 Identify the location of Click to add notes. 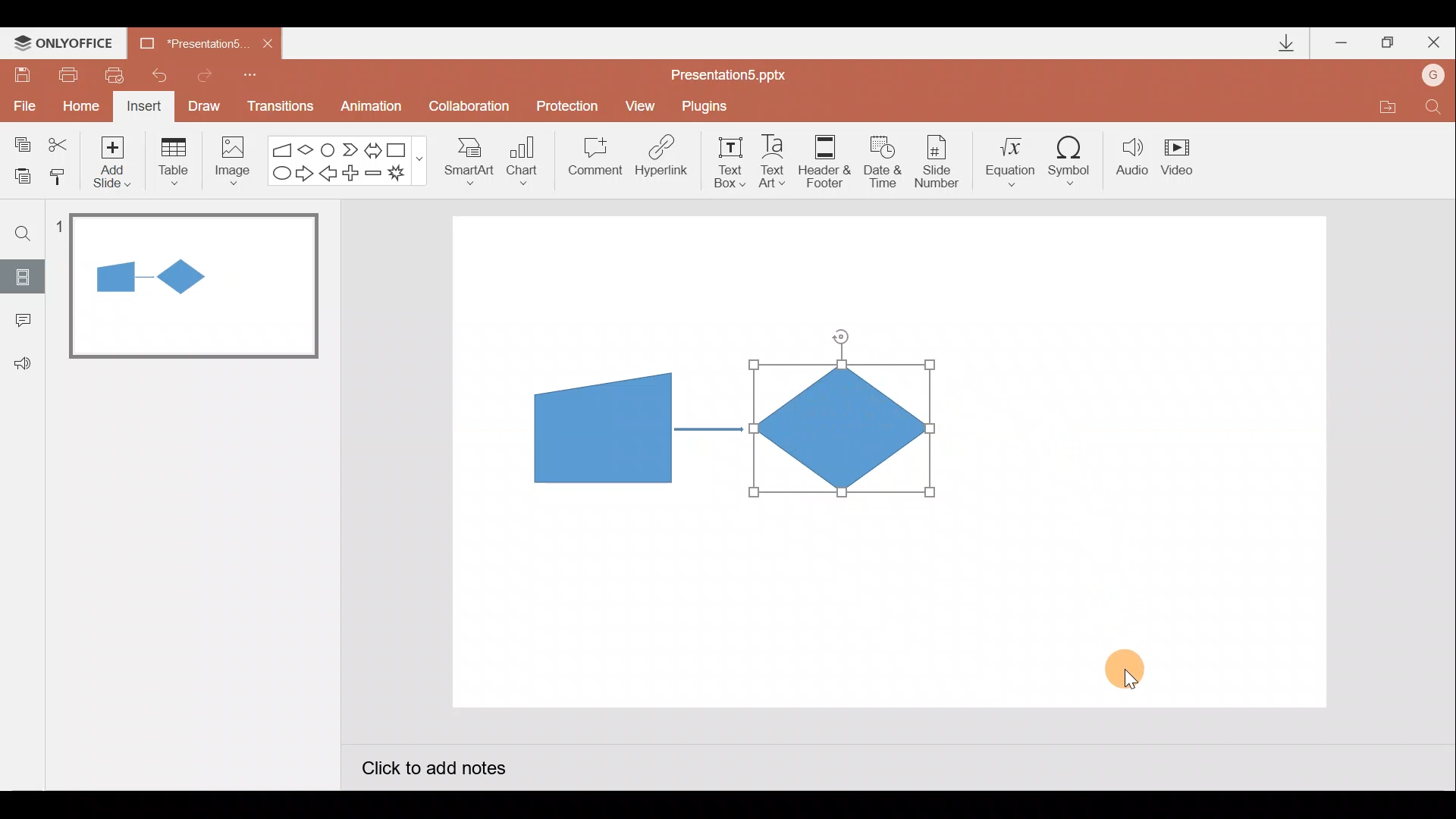
(432, 770).